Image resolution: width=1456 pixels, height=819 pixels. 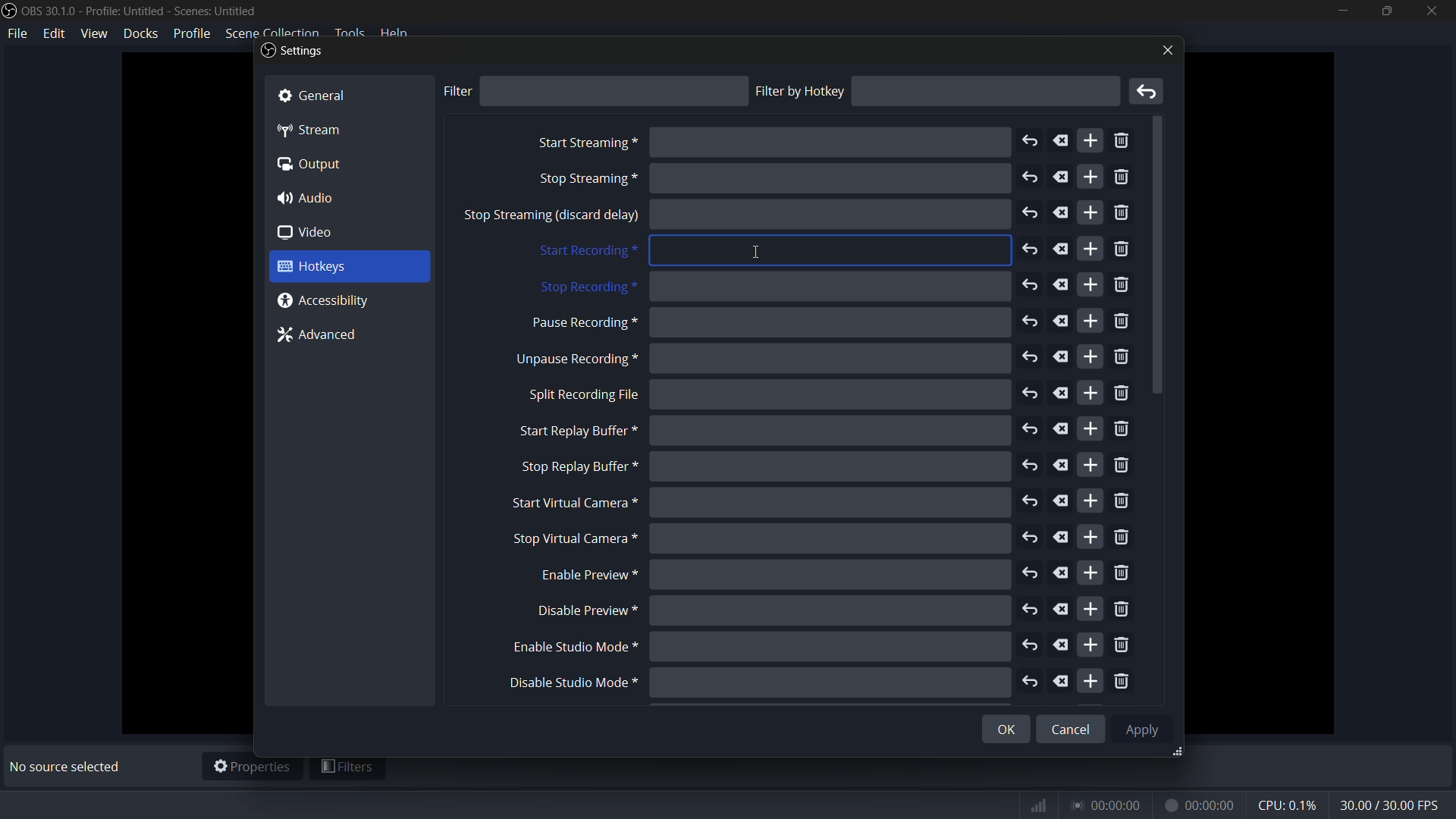 I want to click on view menu, so click(x=94, y=33).